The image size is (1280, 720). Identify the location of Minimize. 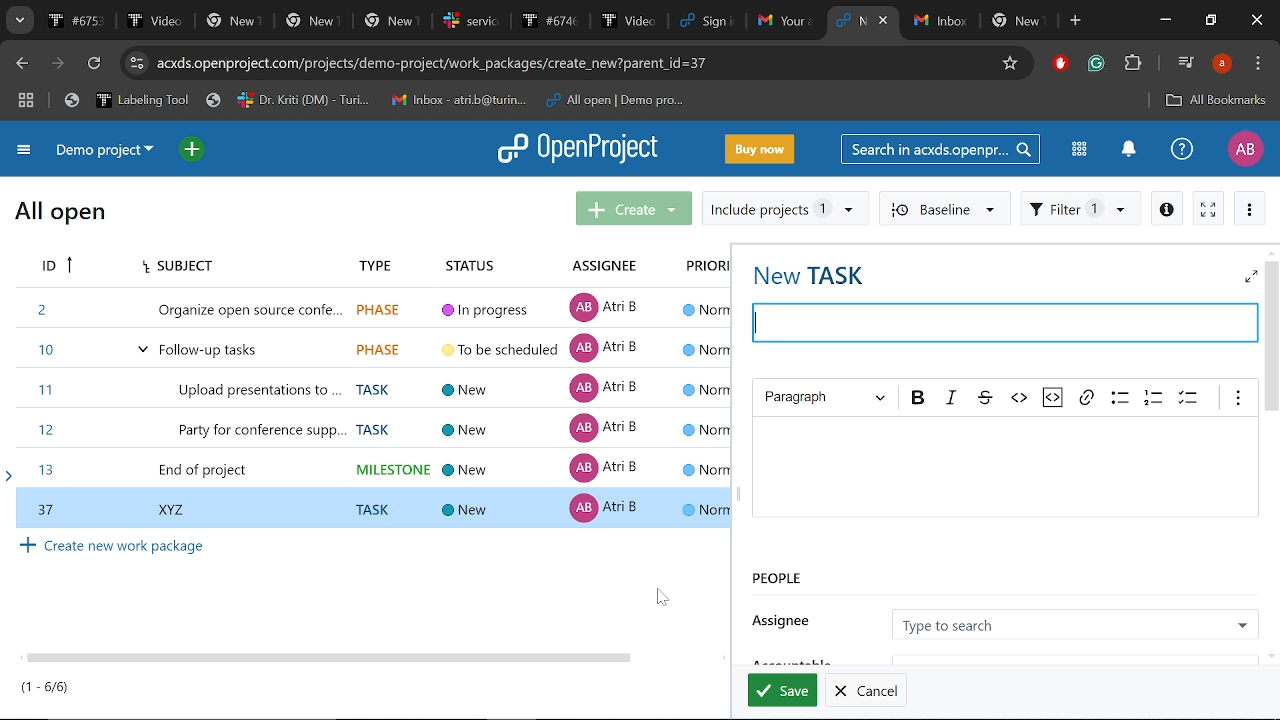
(1168, 20).